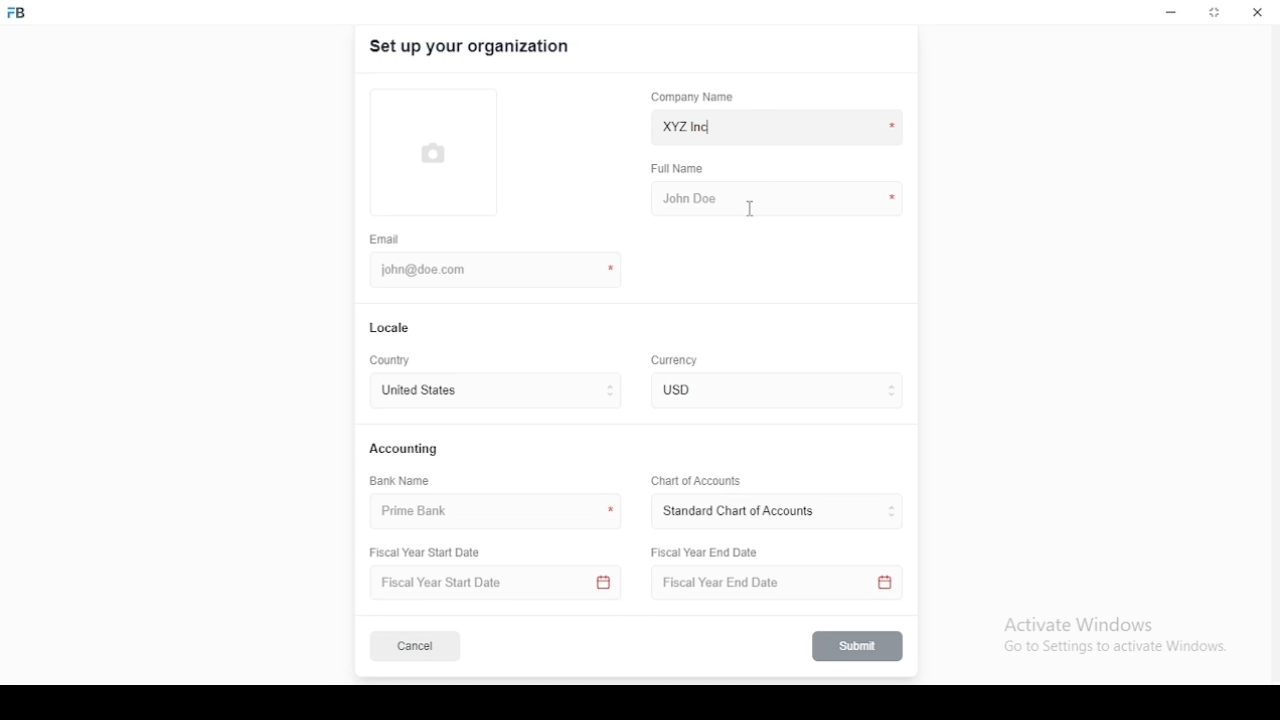  What do you see at coordinates (779, 128) in the screenshot?
I see `XYZ Inc` at bounding box center [779, 128].